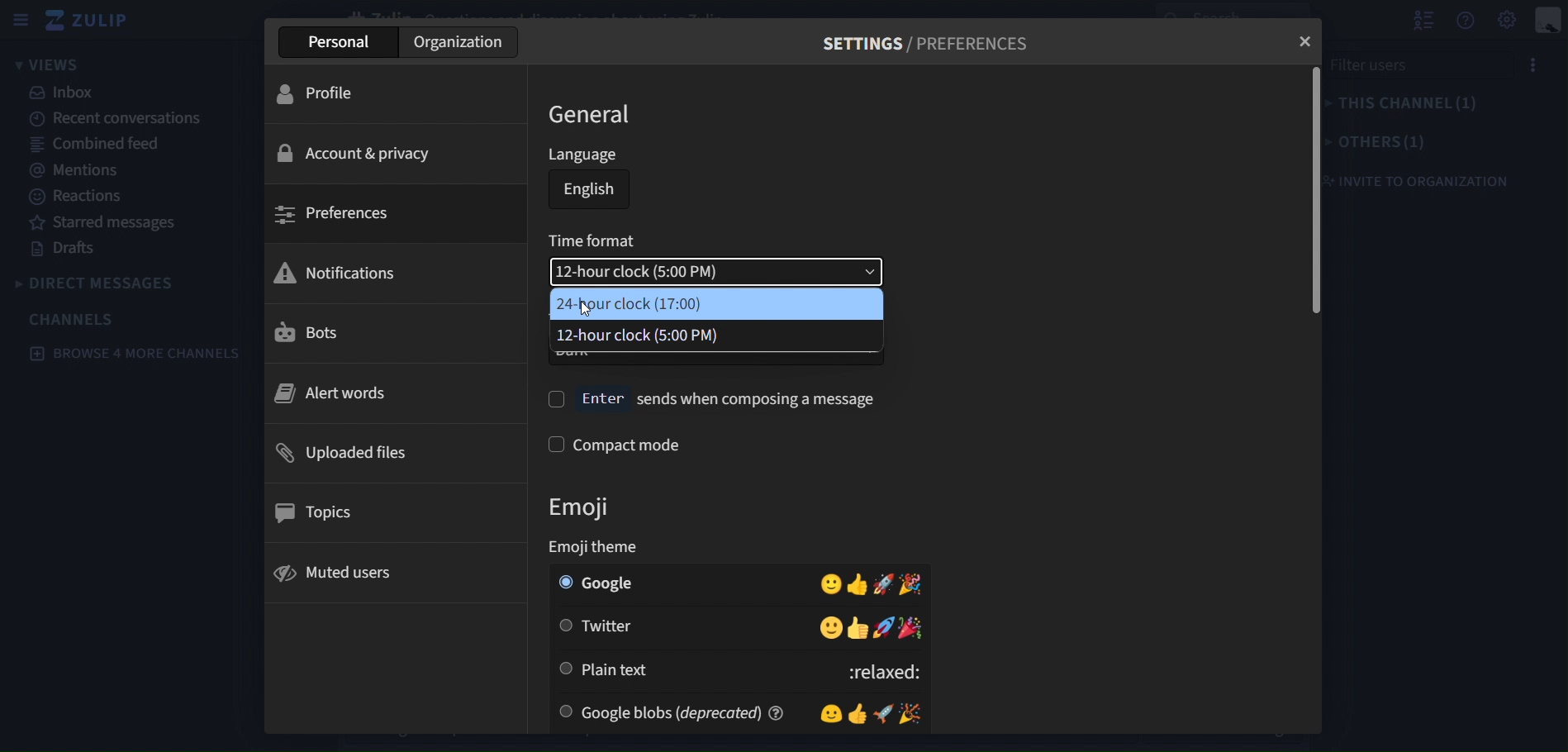 This screenshot has width=1568, height=752. I want to click on cursor, so click(588, 305).